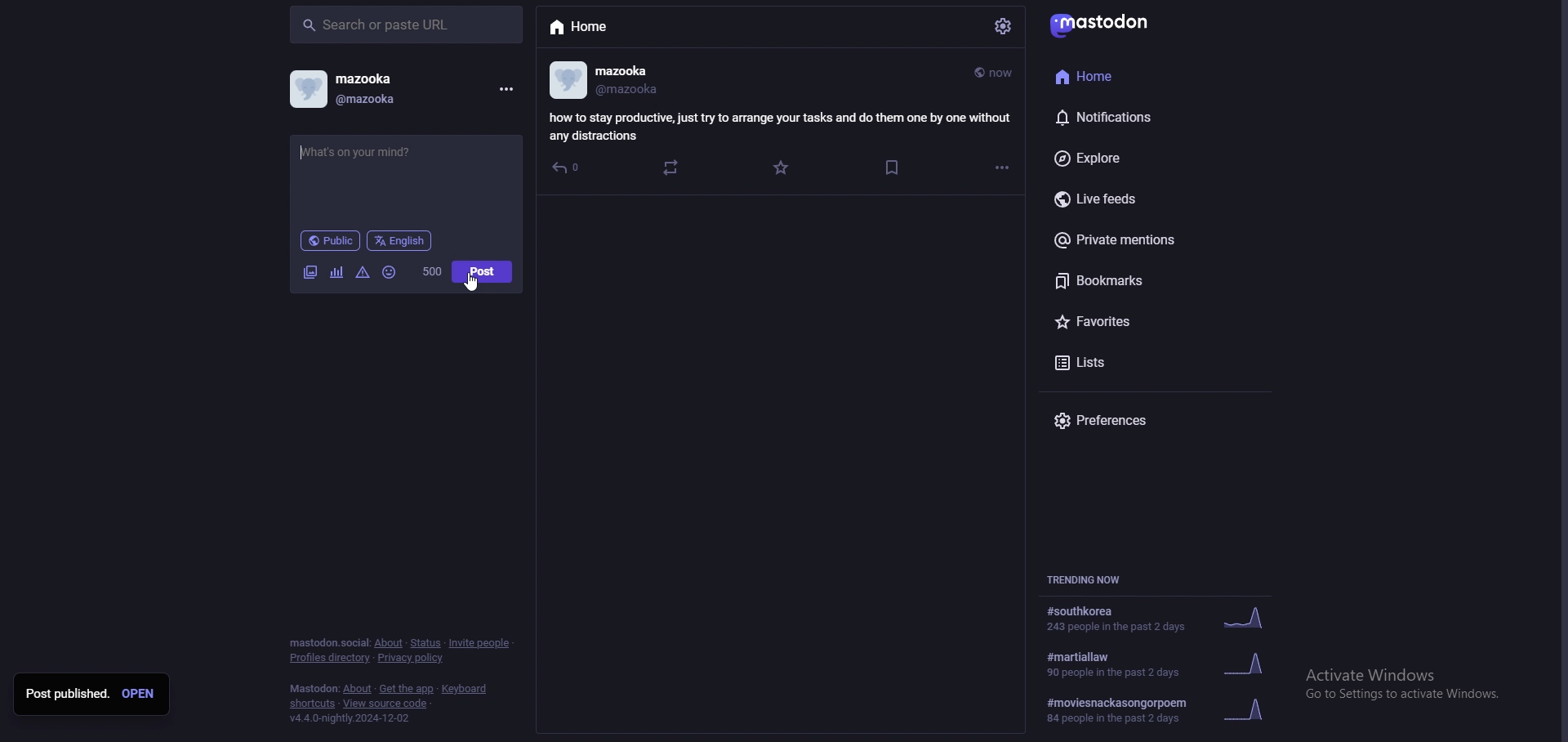 Image resolution: width=1568 pixels, height=742 pixels. I want to click on trending now, so click(1089, 579).